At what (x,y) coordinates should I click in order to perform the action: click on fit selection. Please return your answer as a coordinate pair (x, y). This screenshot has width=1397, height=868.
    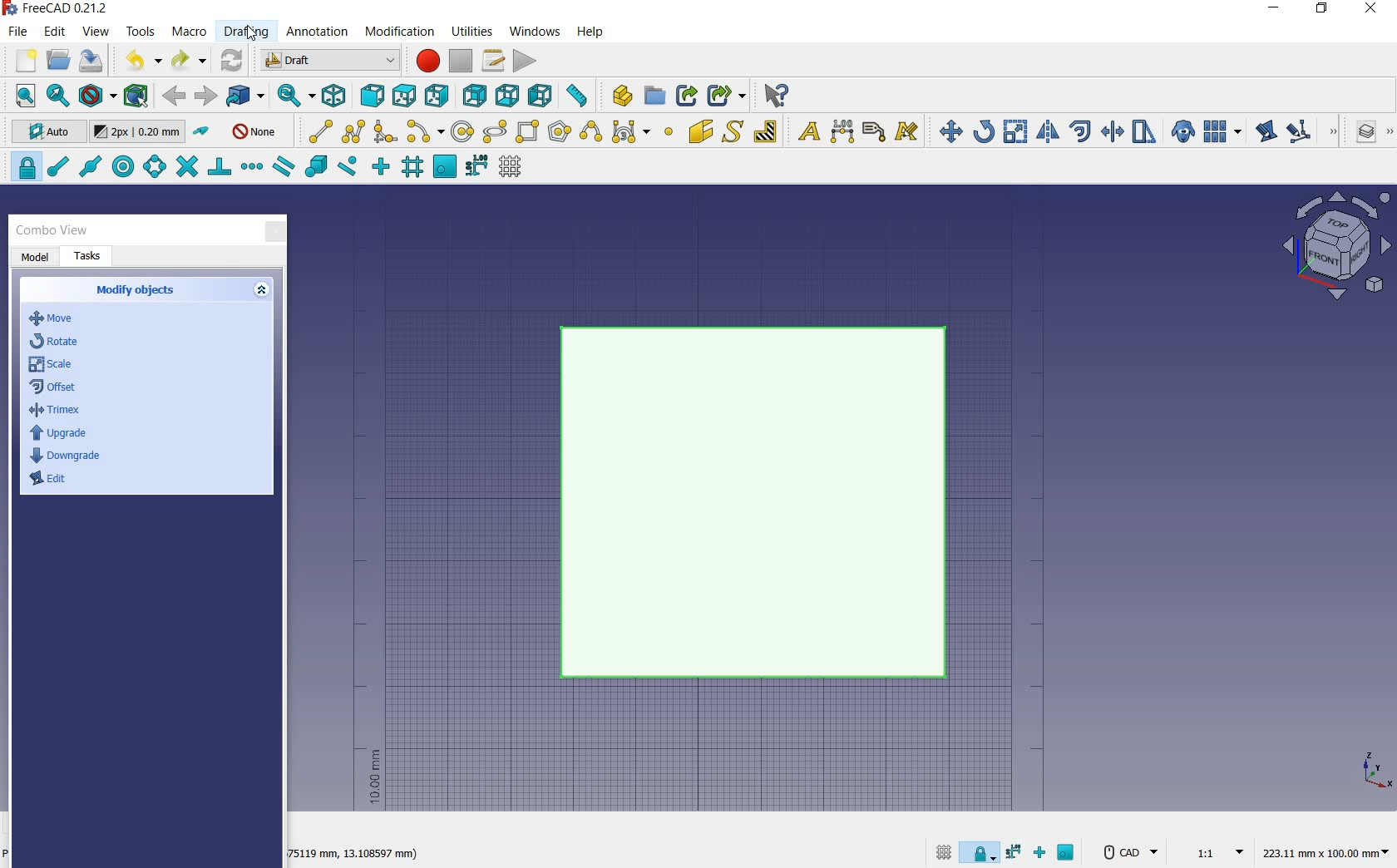
    Looking at the image, I should click on (57, 96).